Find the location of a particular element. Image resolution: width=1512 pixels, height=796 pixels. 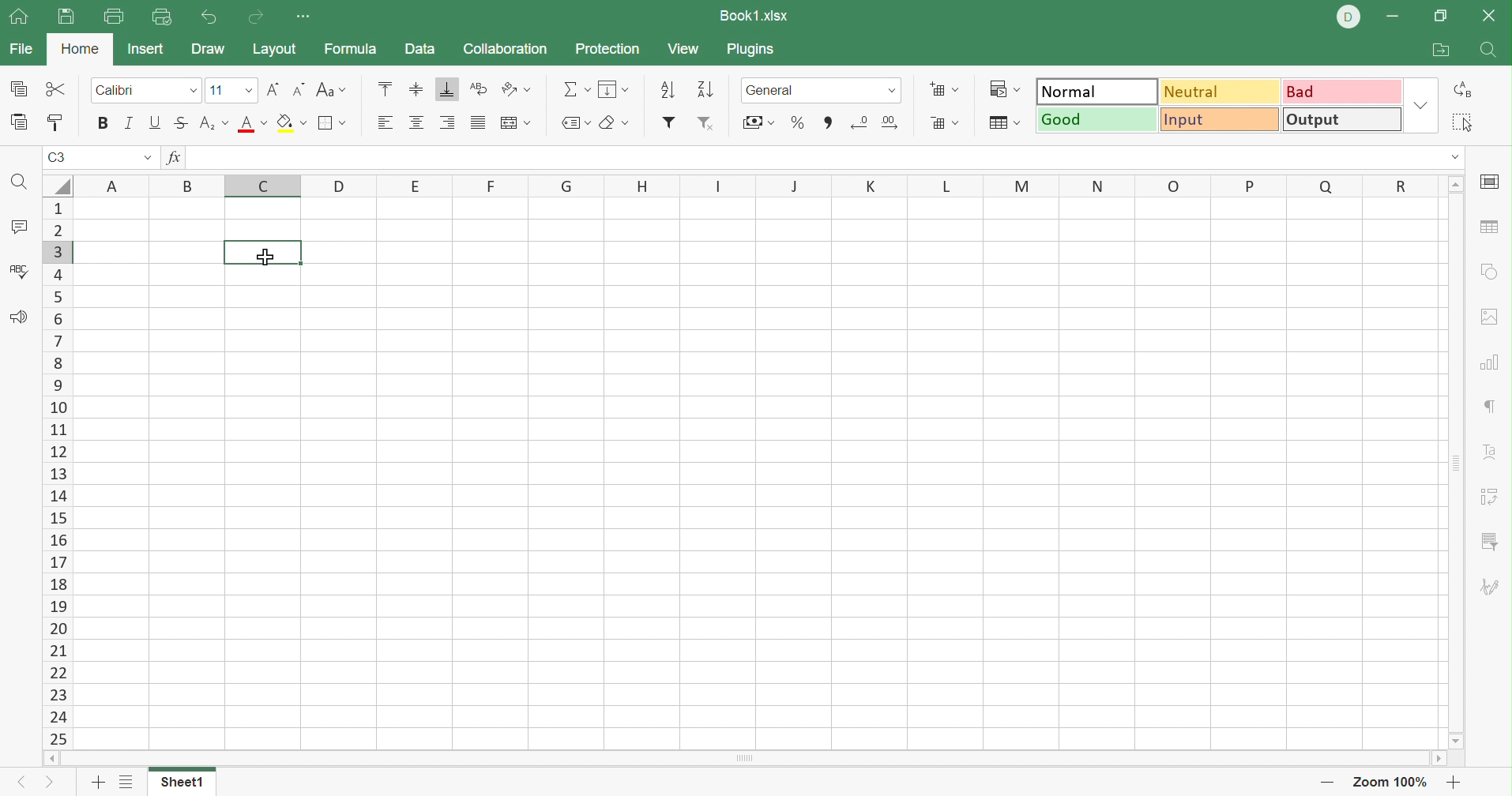

Increase decimal is located at coordinates (892, 123).